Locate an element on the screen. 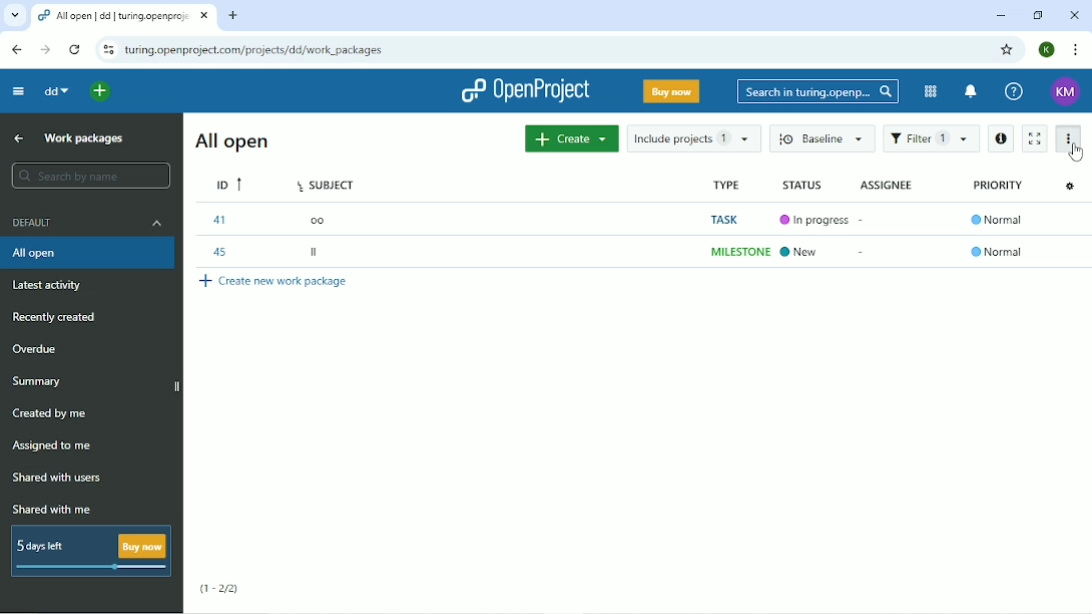 The width and height of the screenshot is (1092, 614). reload is located at coordinates (105, 50).